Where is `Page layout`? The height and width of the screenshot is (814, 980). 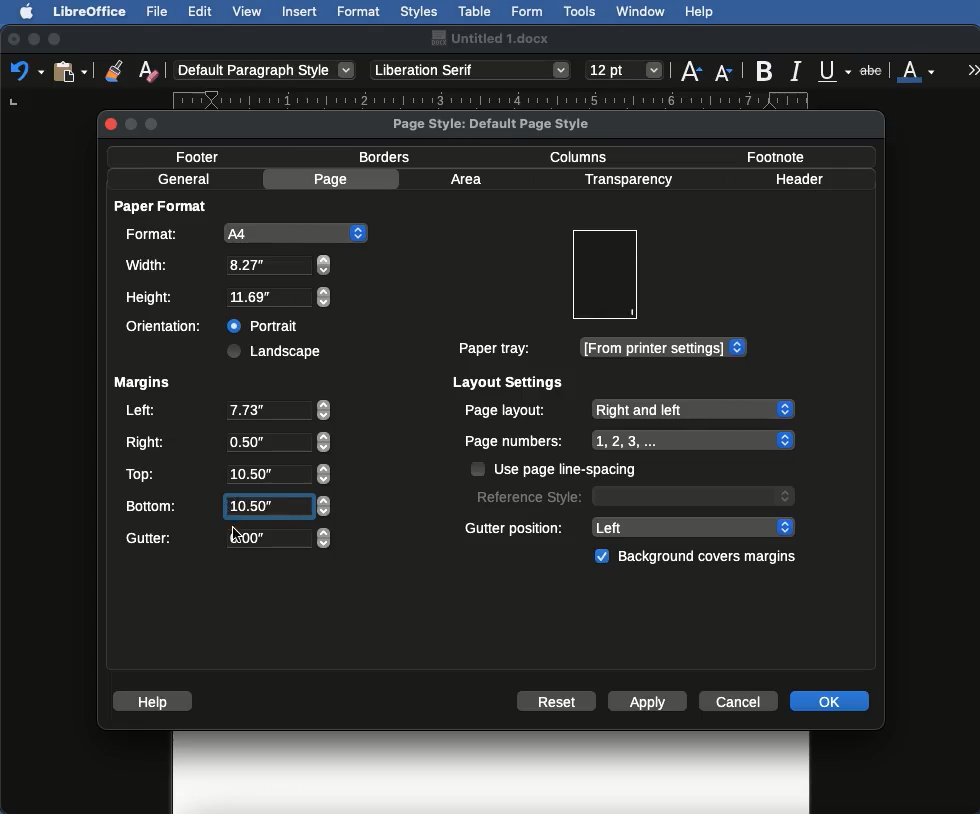
Page layout is located at coordinates (628, 409).